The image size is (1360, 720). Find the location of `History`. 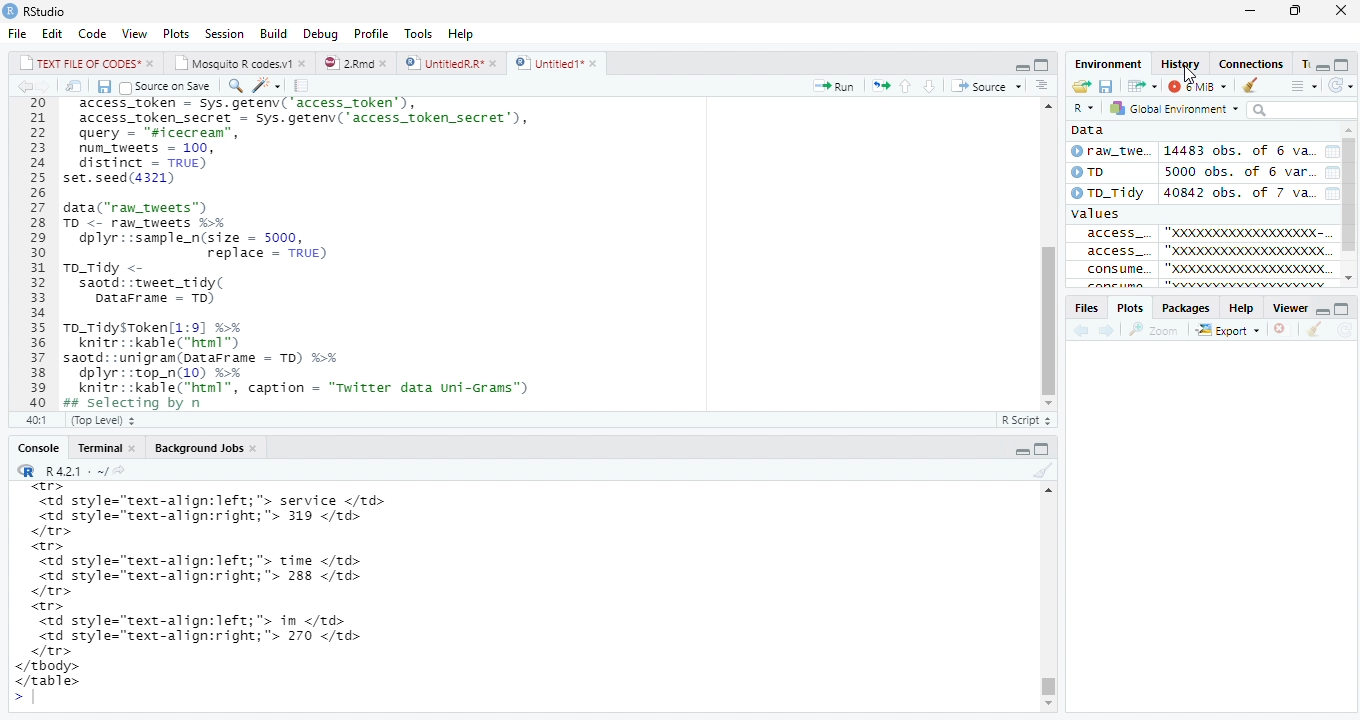

History is located at coordinates (1179, 62).